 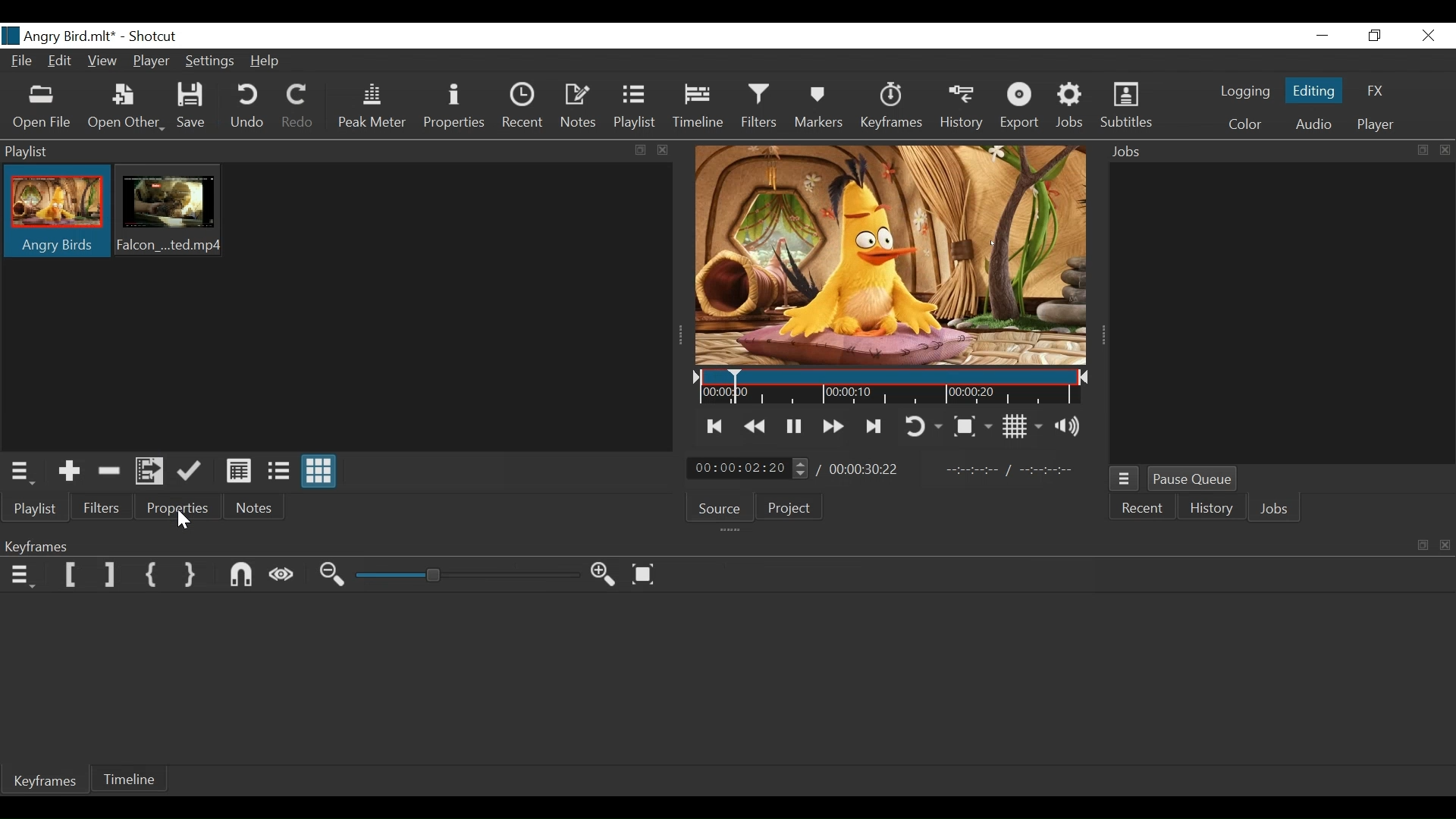 What do you see at coordinates (1241, 93) in the screenshot?
I see `logging` at bounding box center [1241, 93].